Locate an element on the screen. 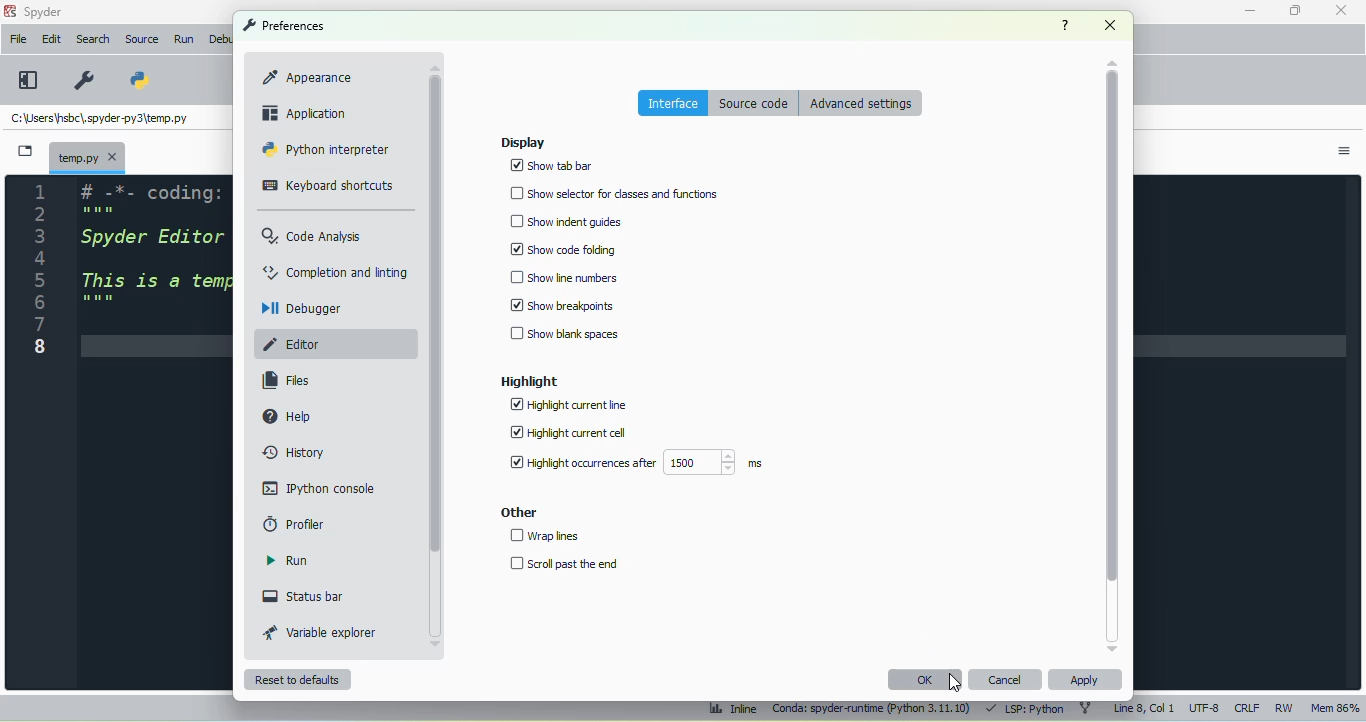  close is located at coordinates (1110, 25).